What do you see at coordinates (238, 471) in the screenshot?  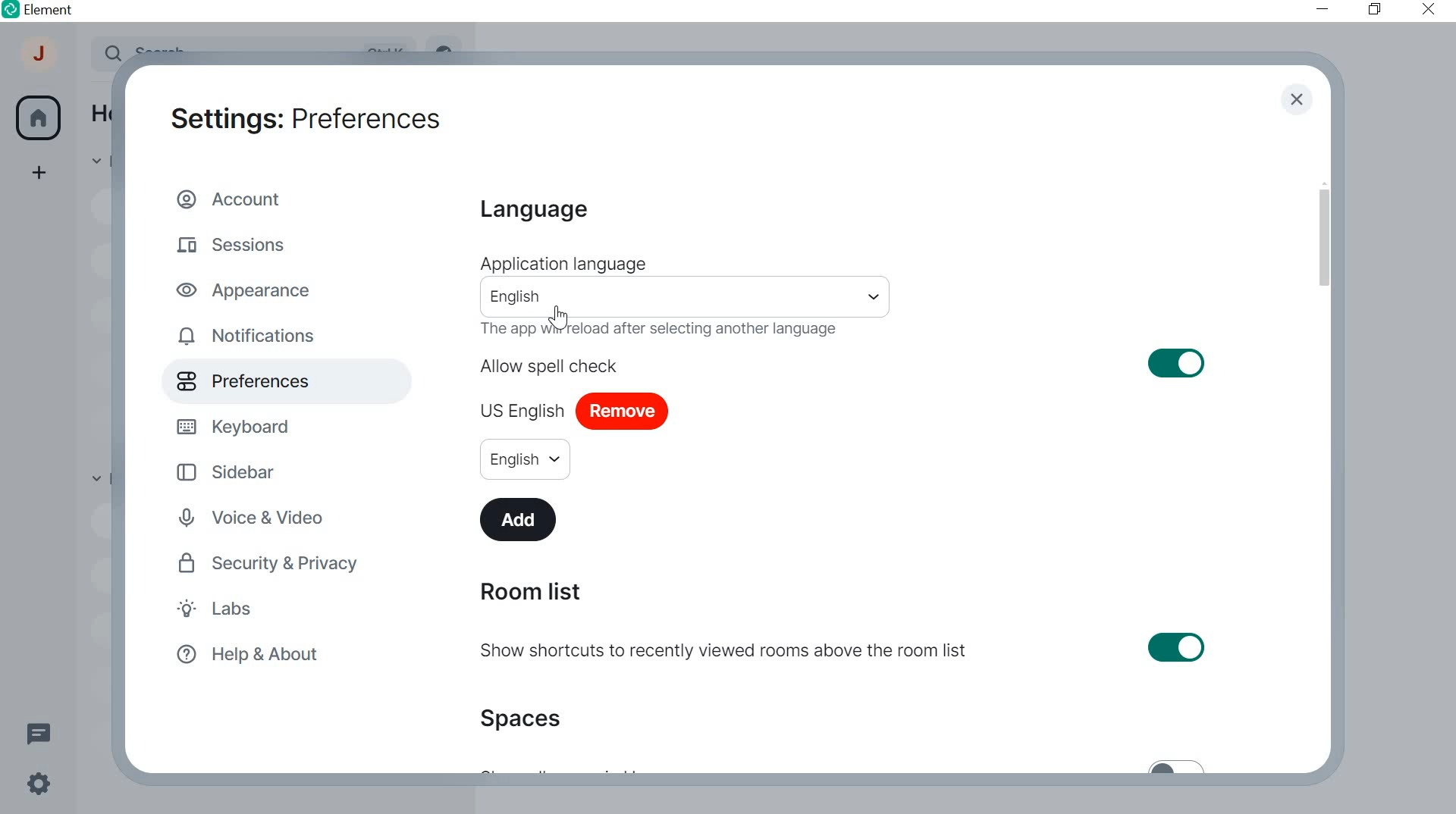 I see `SIDEBAR` at bounding box center [238, 471].